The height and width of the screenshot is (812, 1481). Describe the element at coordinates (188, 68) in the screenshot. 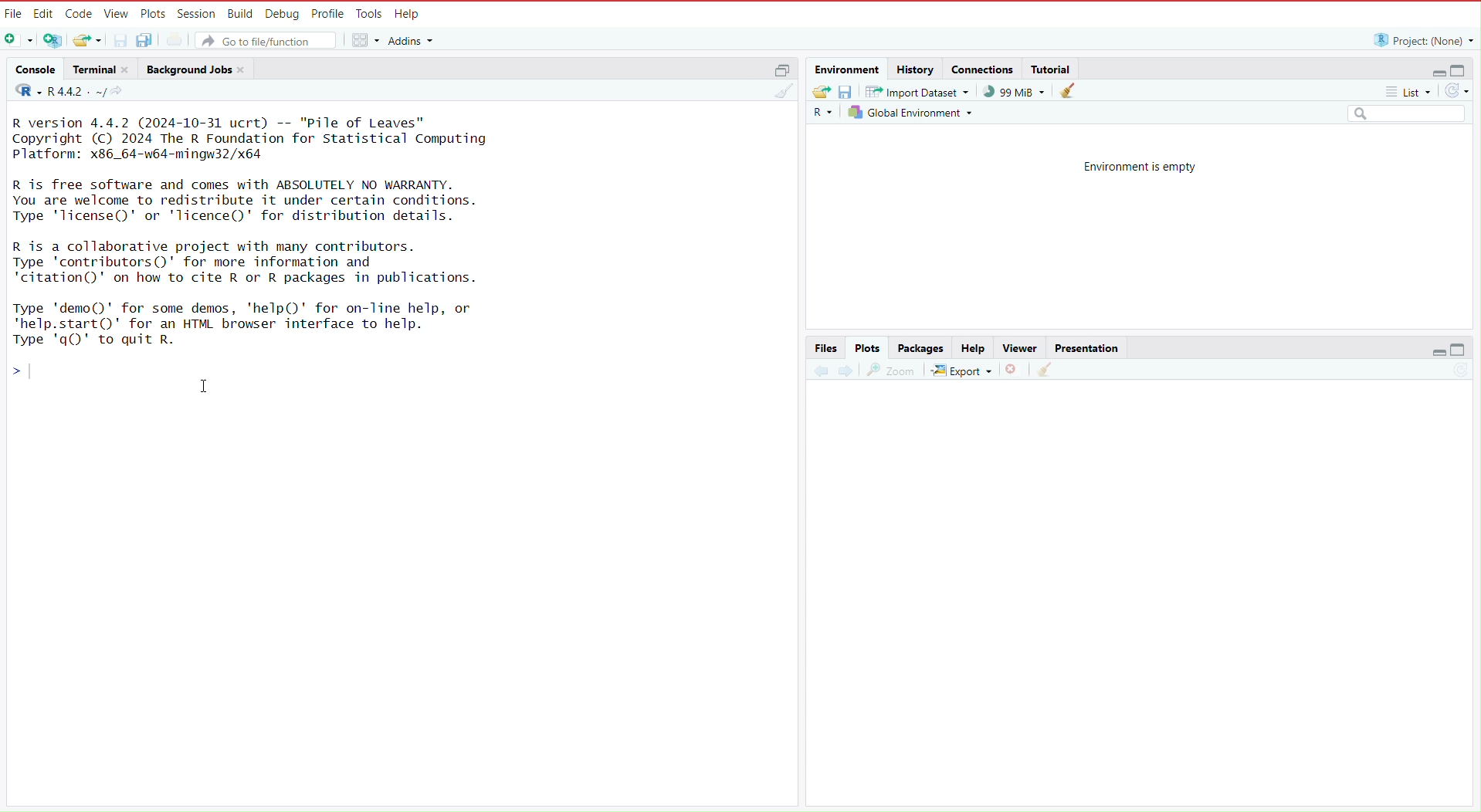

I see `background jobs` at that location.